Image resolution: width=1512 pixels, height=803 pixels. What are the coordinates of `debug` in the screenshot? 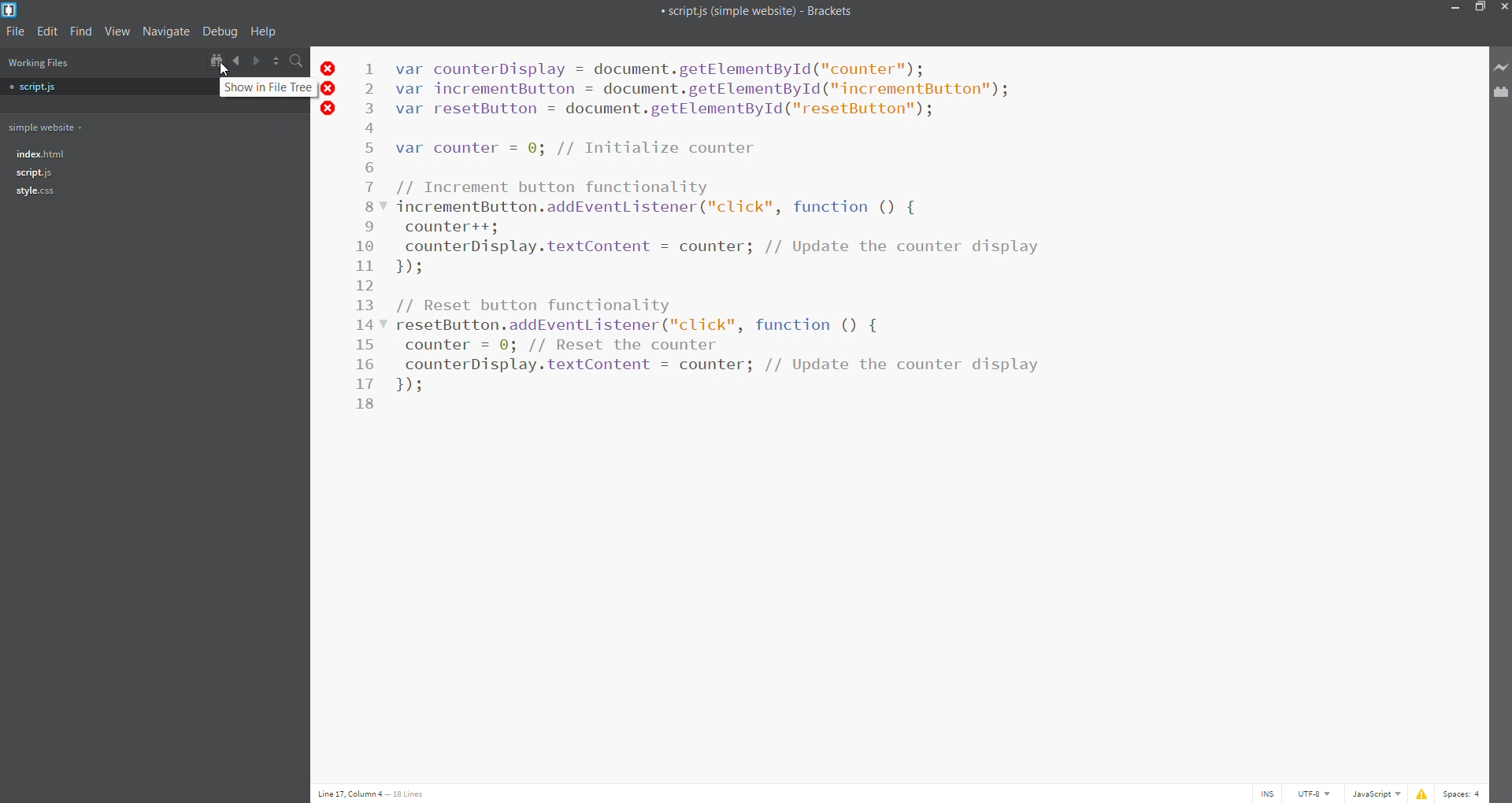 It's located at (220, 32).